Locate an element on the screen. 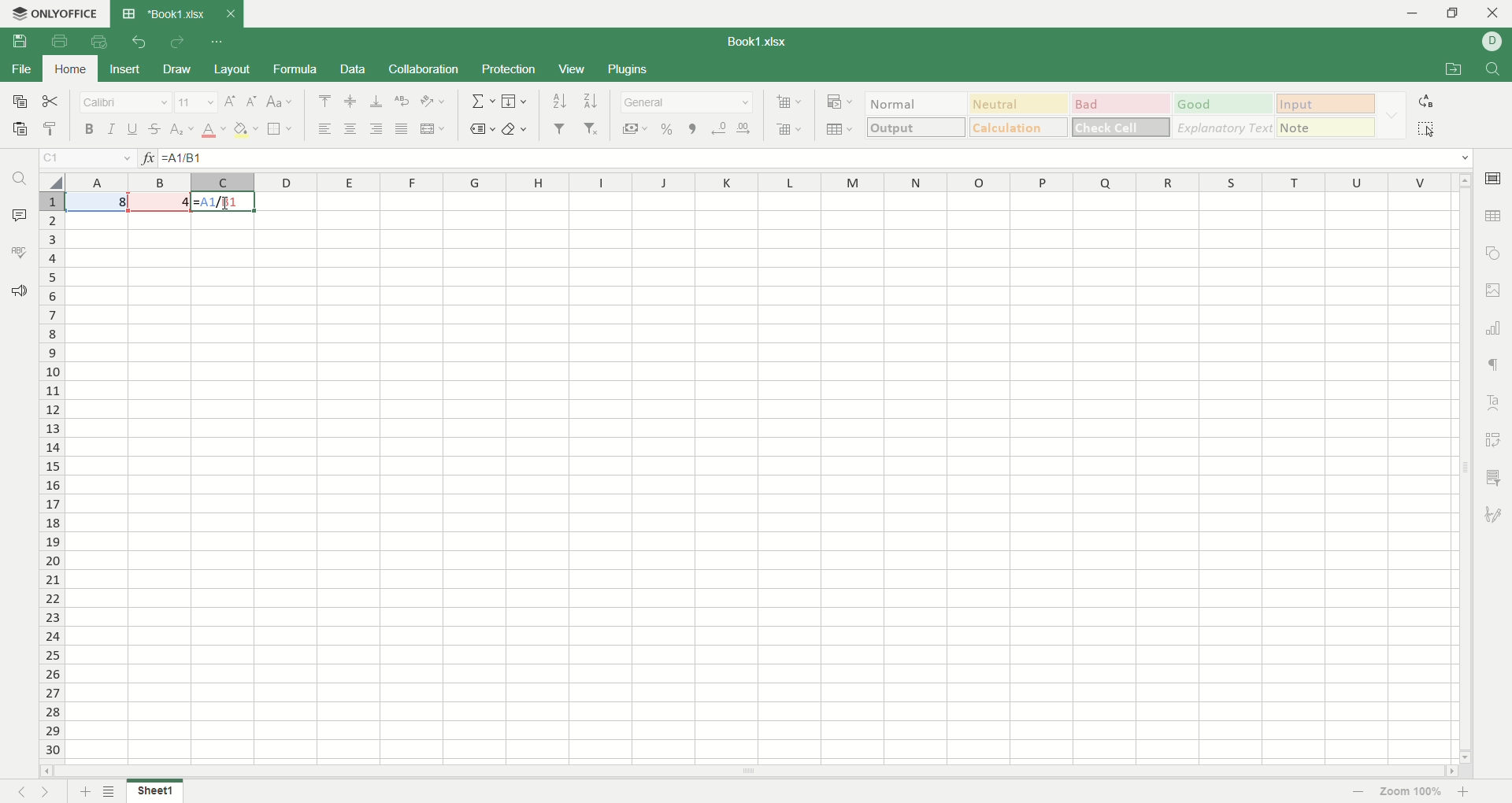 Image resolution: width=1512 pixels, height=803 pixels. font name is located at coordinates (126, 102).